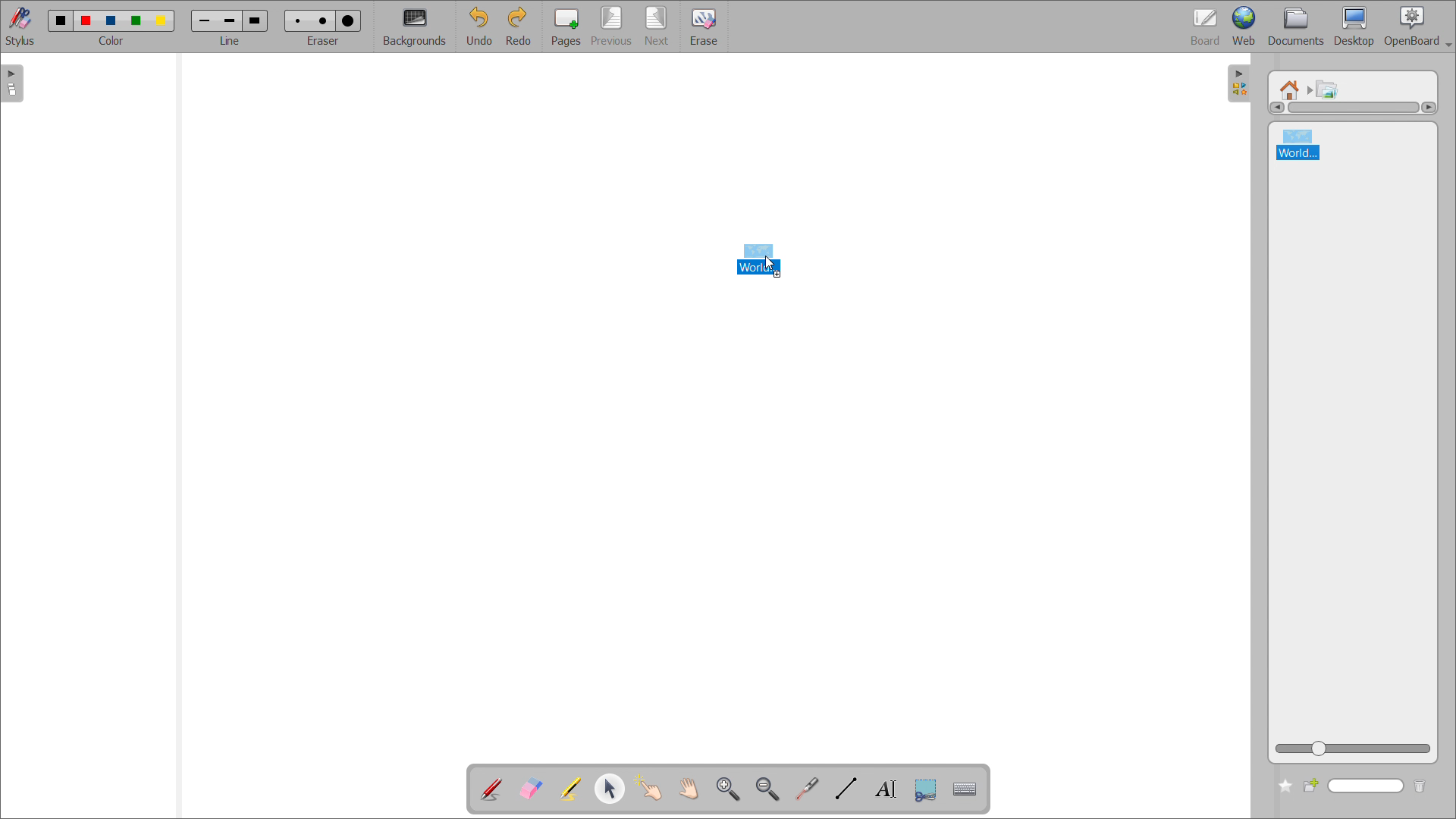  Describe the element at coordinates (111, 27) in the screenshot. I see `select color` at that location.